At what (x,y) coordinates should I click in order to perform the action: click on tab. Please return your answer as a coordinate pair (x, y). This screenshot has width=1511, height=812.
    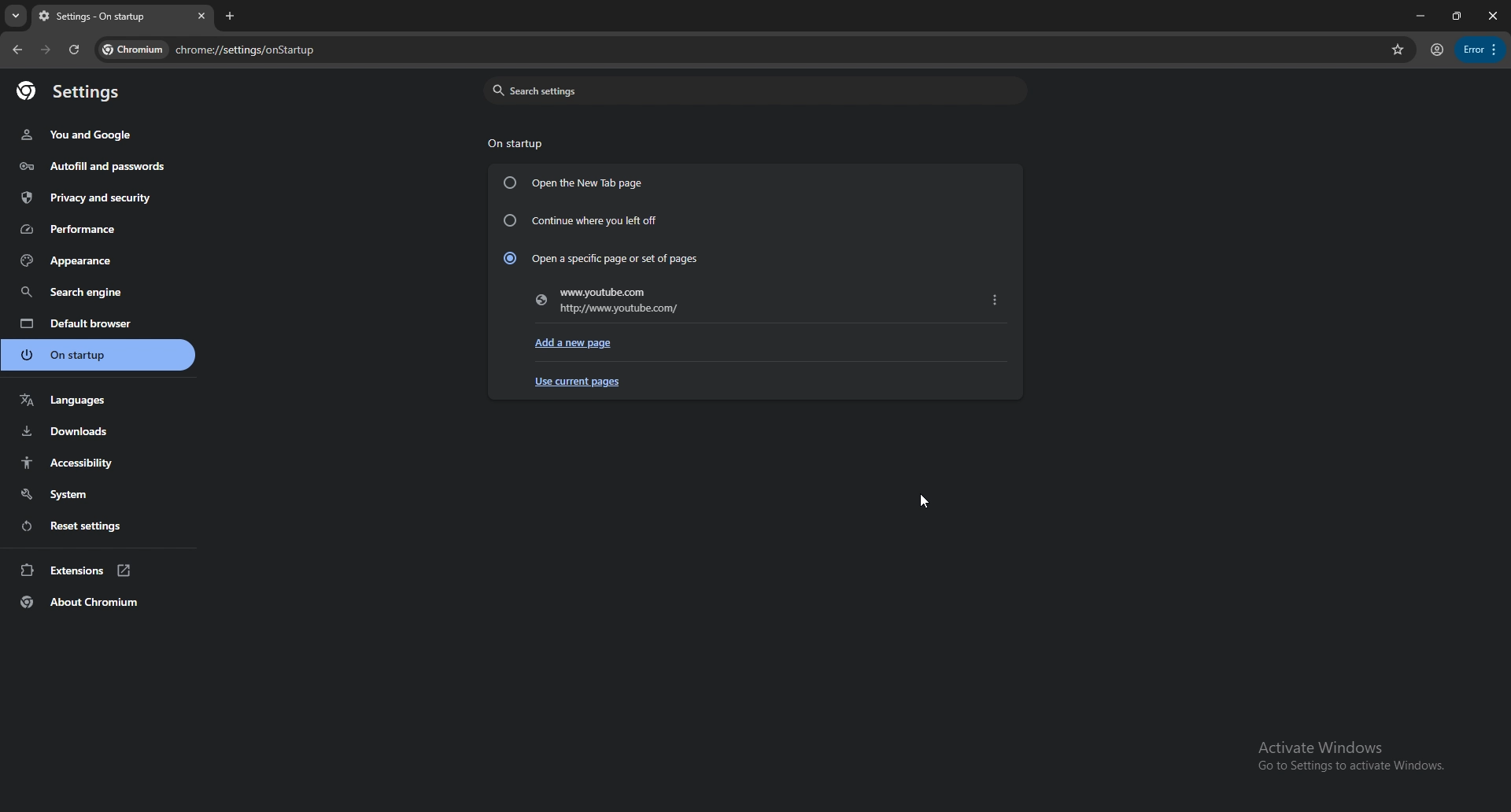
    Looking at the image, I should click on (108, 17).